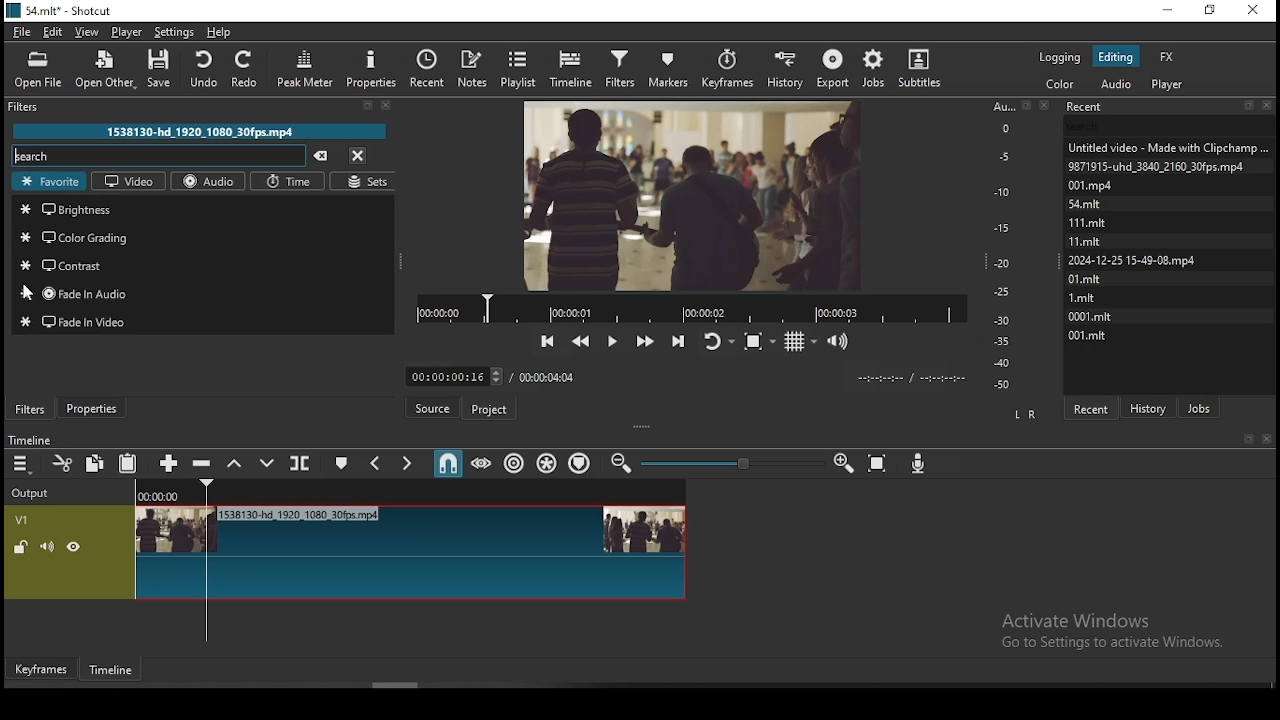  Describe the element at coordinates (1115, 56) in the screenshot. I see `editing` at that location.